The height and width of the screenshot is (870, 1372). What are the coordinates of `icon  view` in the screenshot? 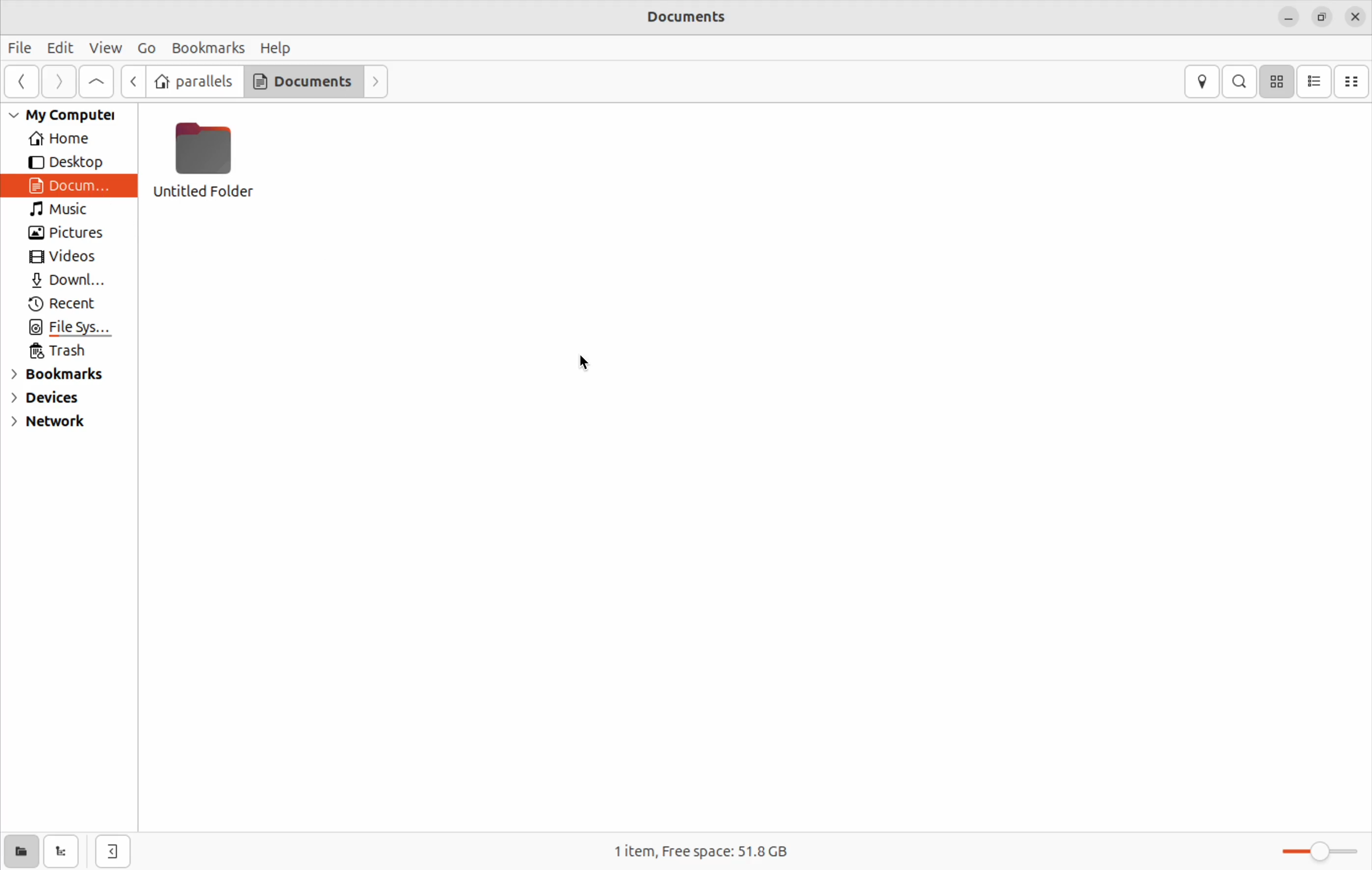 It's located at (1277, 80).